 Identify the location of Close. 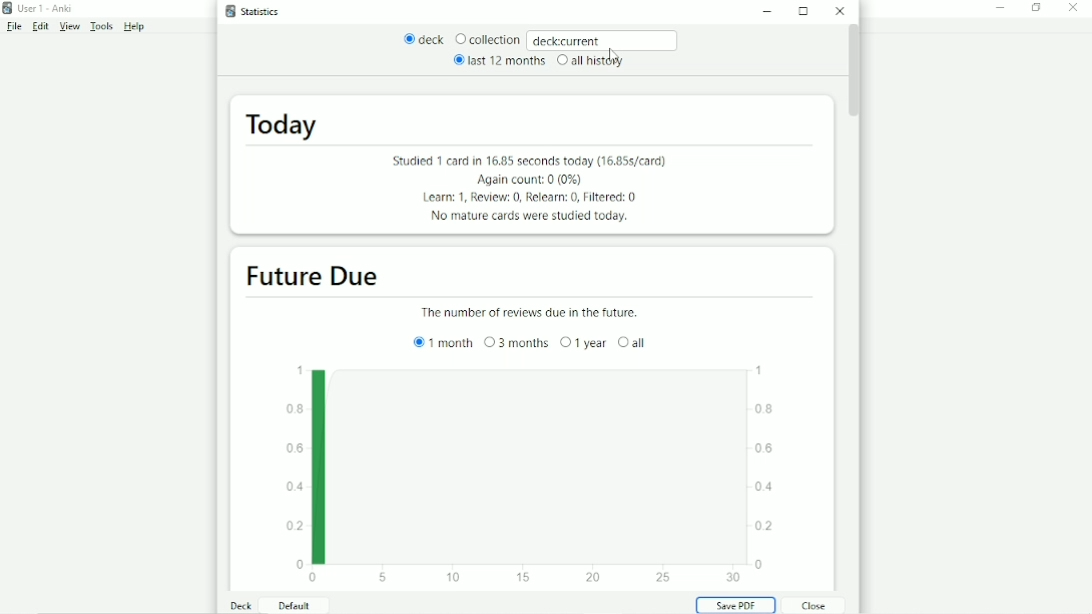
(811, 606).